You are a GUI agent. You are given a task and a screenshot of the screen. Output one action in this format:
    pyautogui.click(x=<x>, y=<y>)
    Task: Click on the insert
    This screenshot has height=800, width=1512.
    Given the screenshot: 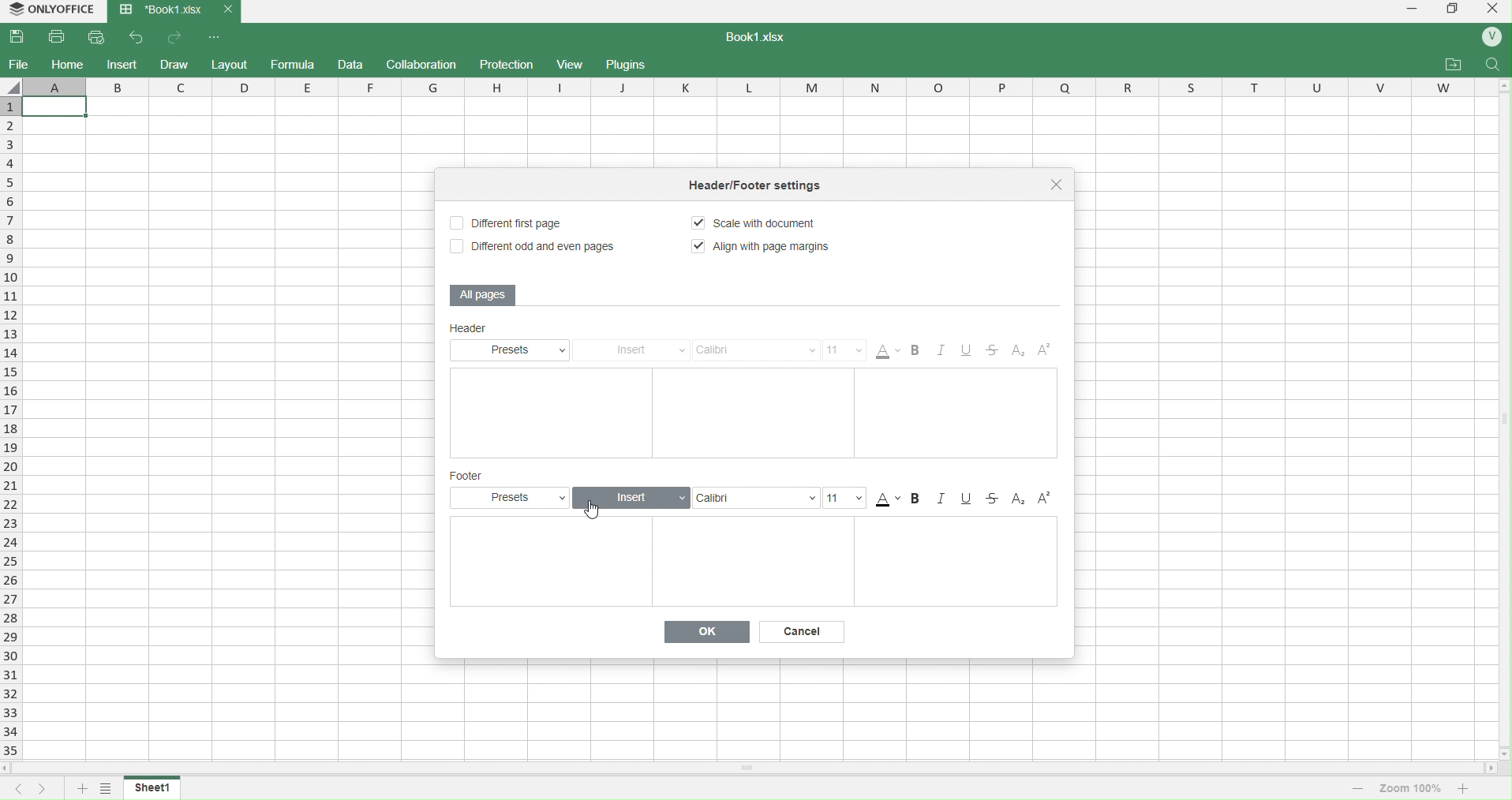 What is the action you would take?
    pyautogui.click(x=122, y=64)
    